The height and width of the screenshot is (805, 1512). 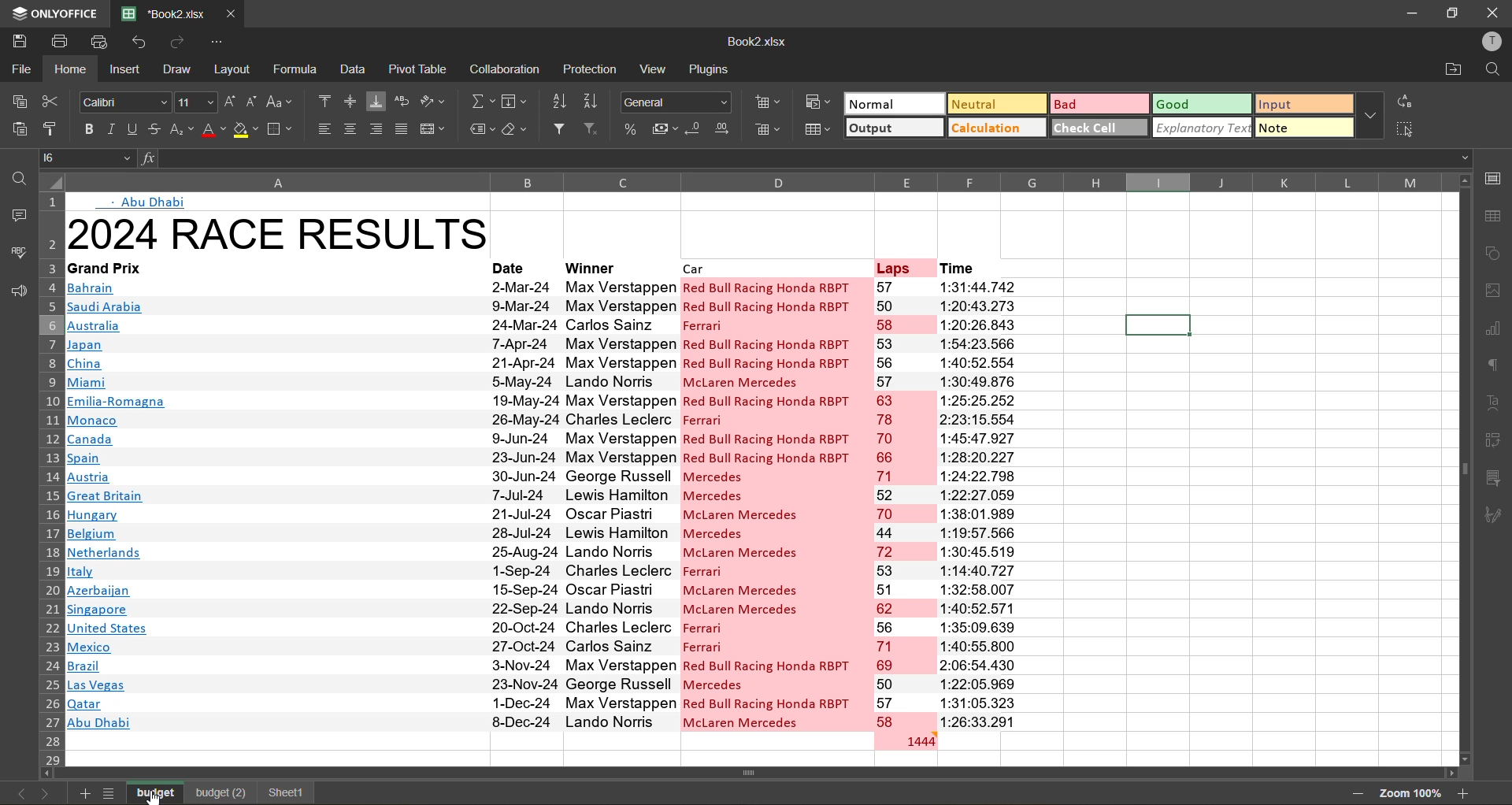 I want to click on format as table, so click(x=819, y=129).